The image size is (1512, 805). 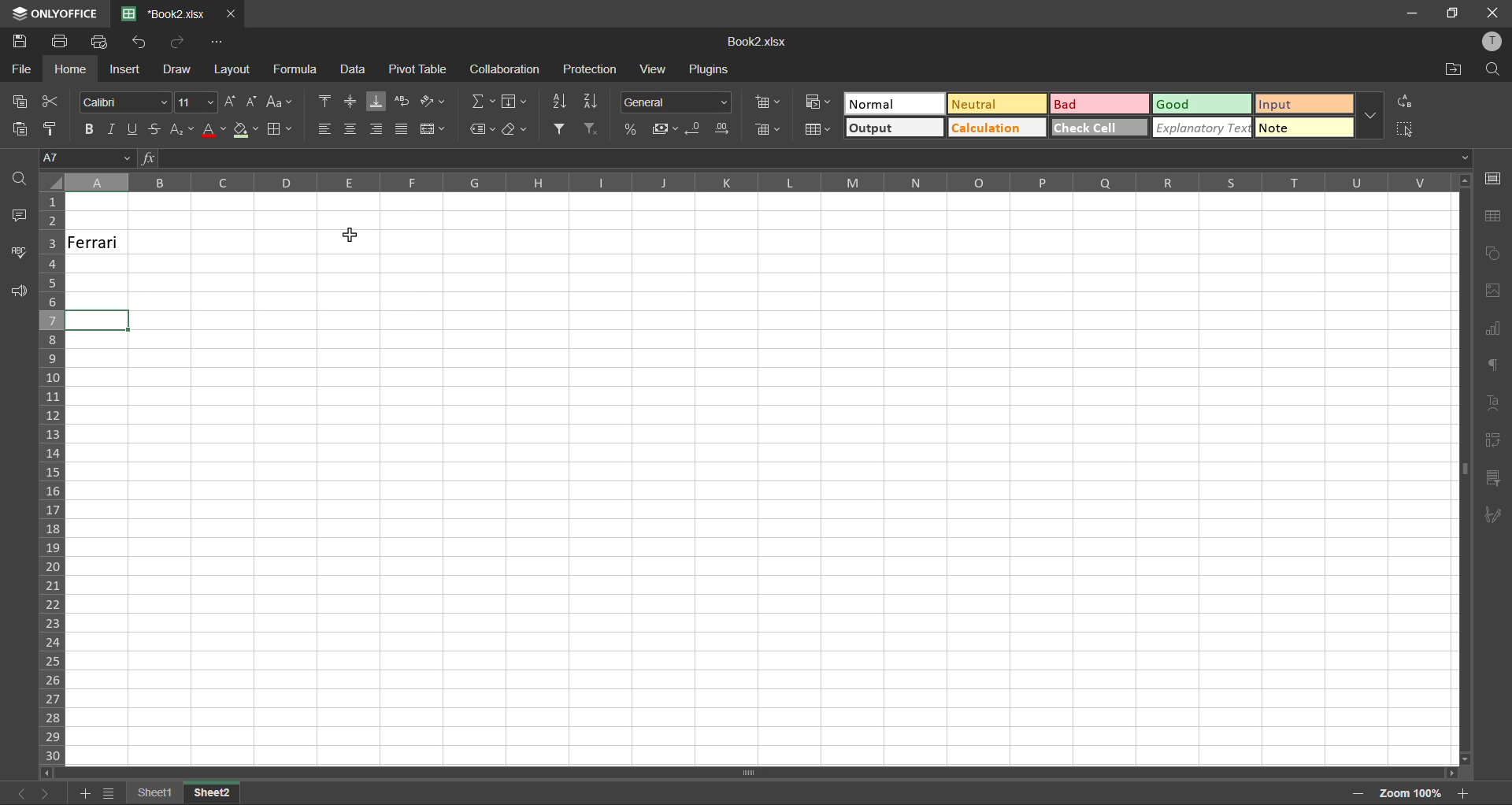 I want to click on sheet1, so click(x=159, y=794).